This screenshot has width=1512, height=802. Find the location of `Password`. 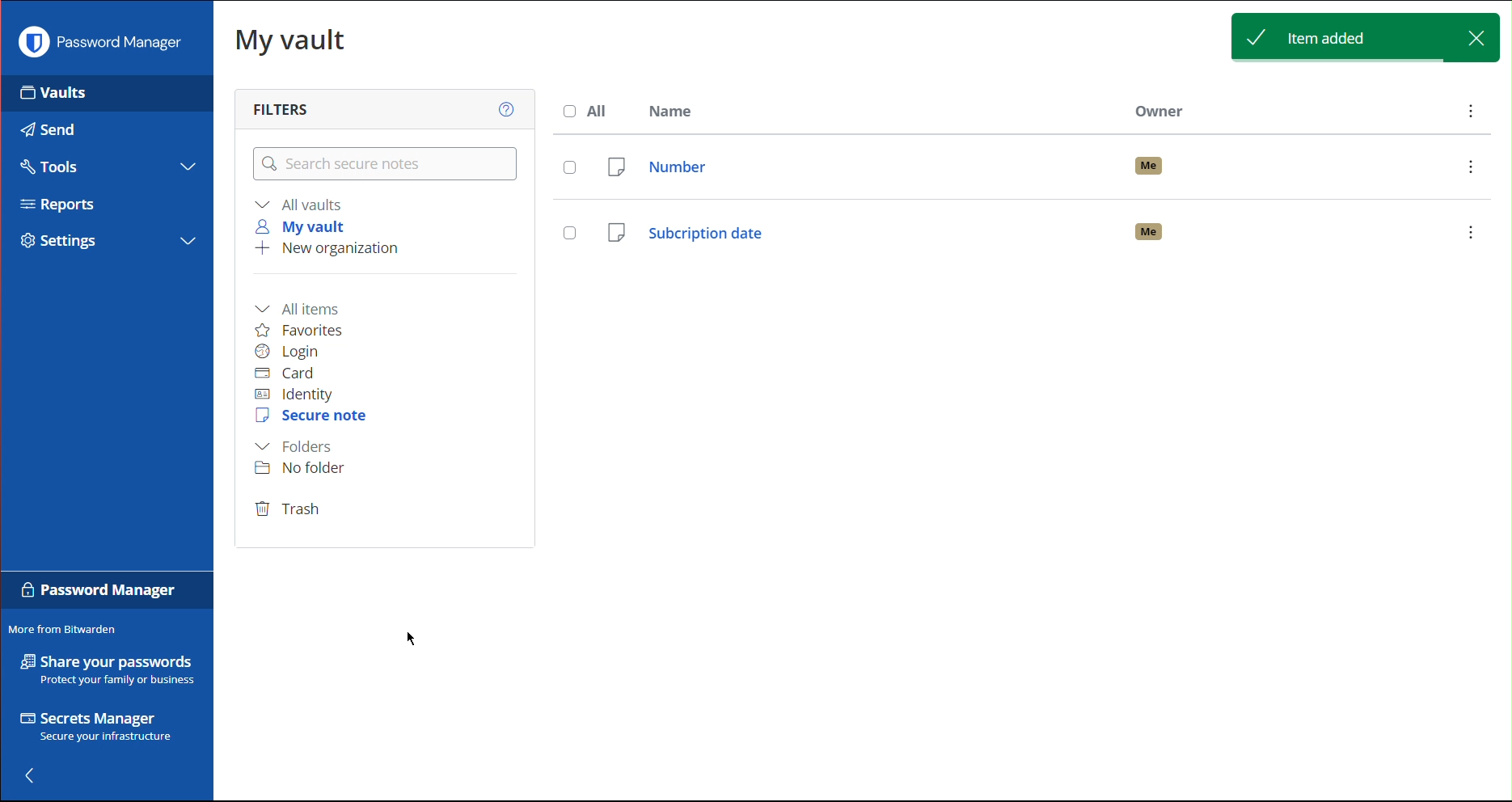

Password is located at coordinates (99, 593).